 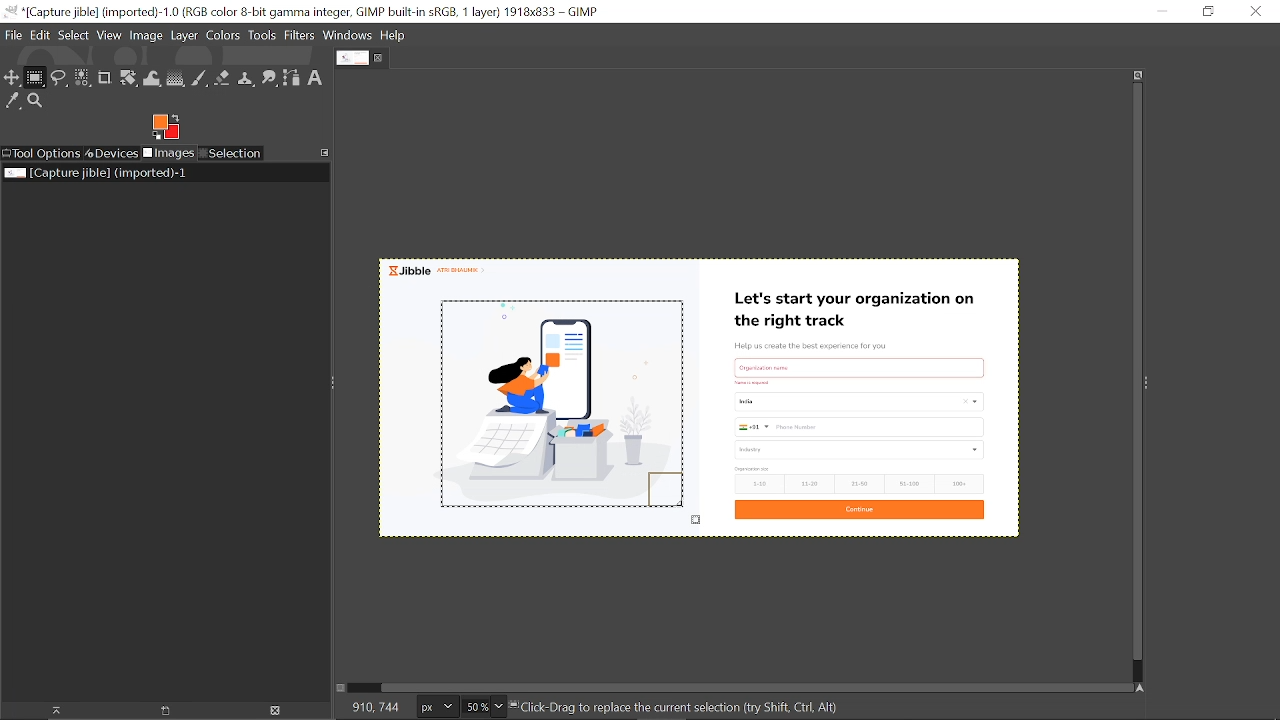 I want to click on Tools, so click(x=263, y=35).